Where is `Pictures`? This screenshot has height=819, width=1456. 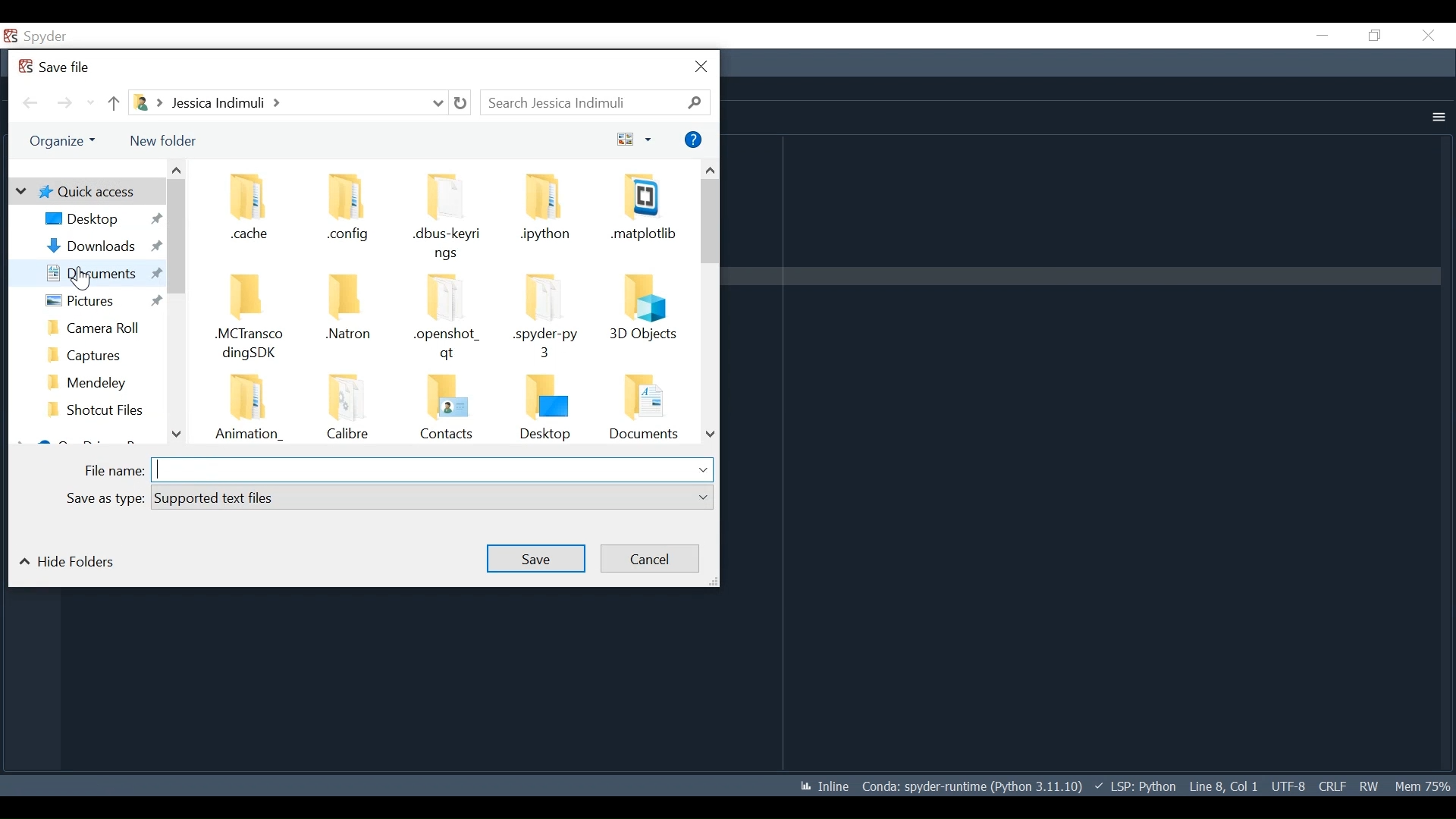
Pictures is located at coordinates (95, 301).